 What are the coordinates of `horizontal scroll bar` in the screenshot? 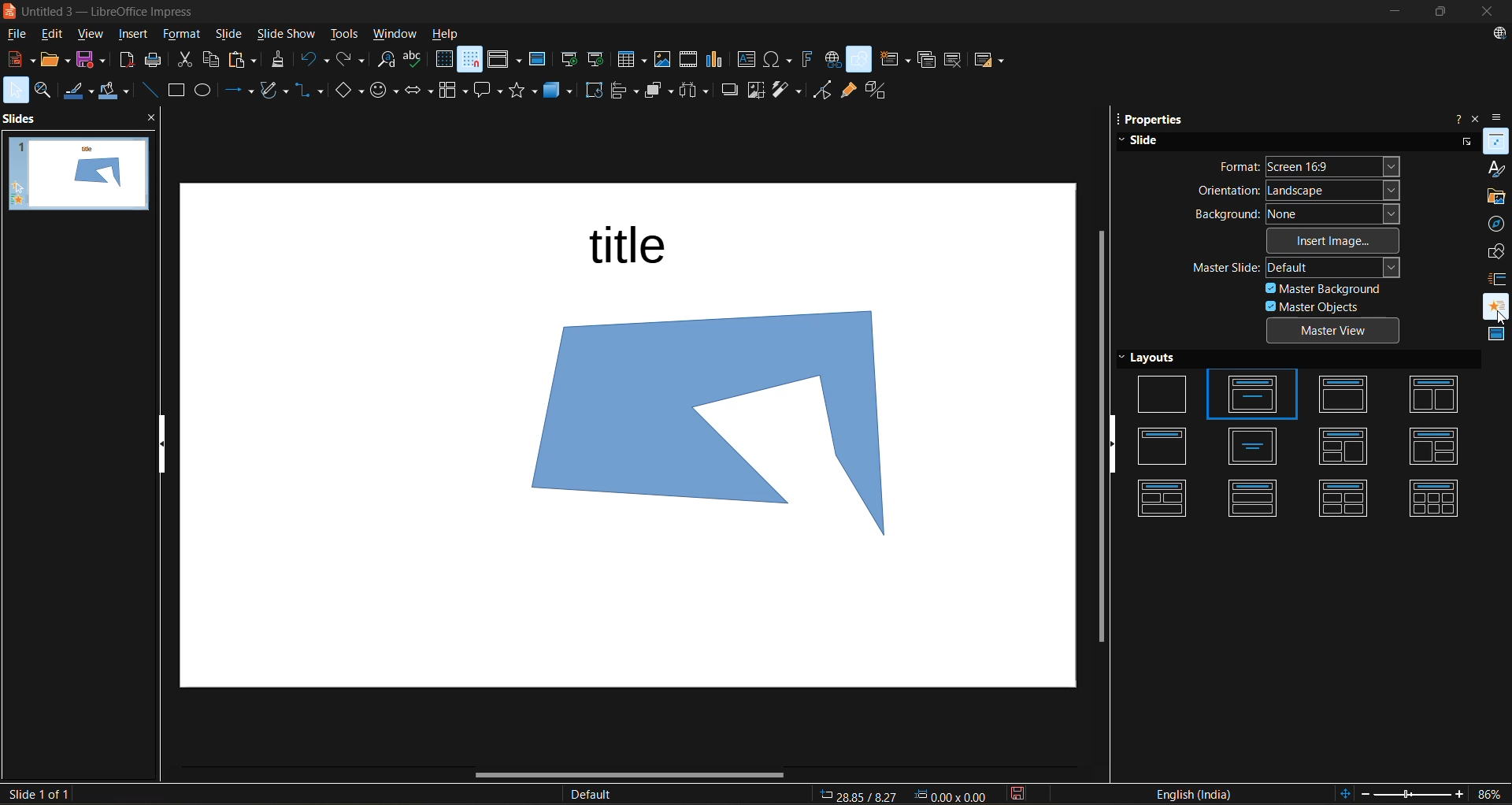 It's located at (632, 777).